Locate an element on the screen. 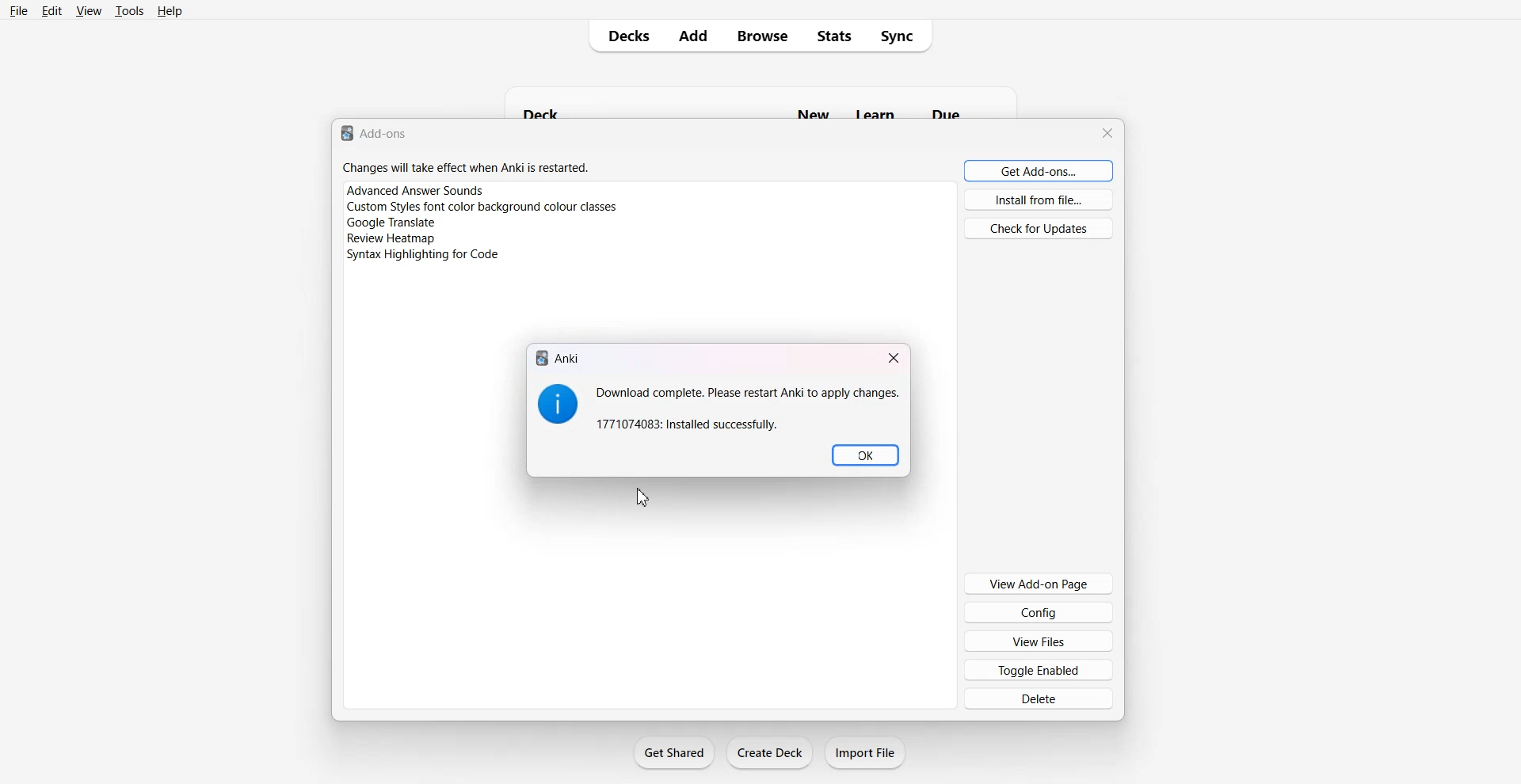 The image size is (1521, 784). new is located at coordinates (815, 112).